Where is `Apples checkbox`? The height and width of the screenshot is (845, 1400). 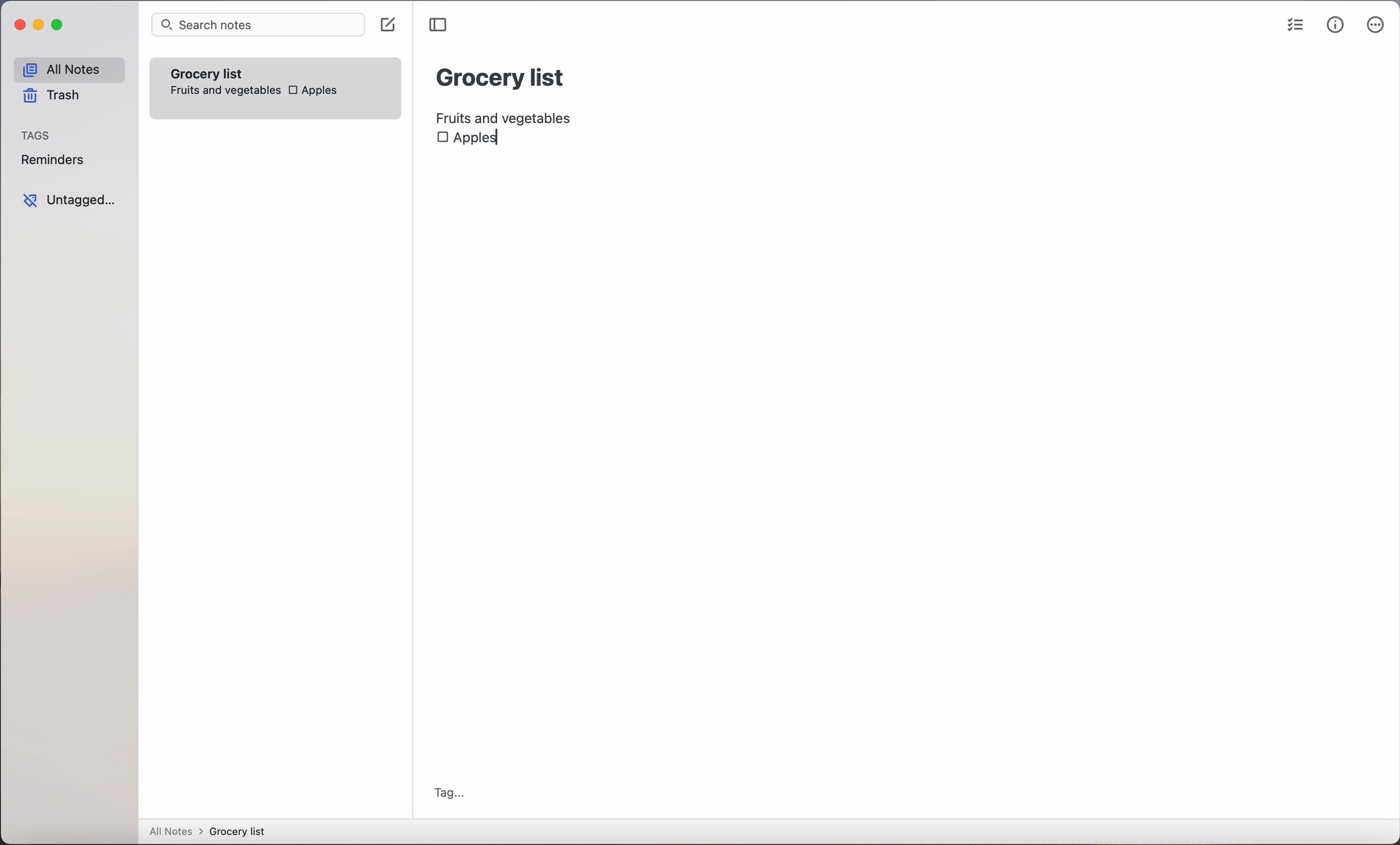 Apples checkbox is located at coordinates (466, 136).